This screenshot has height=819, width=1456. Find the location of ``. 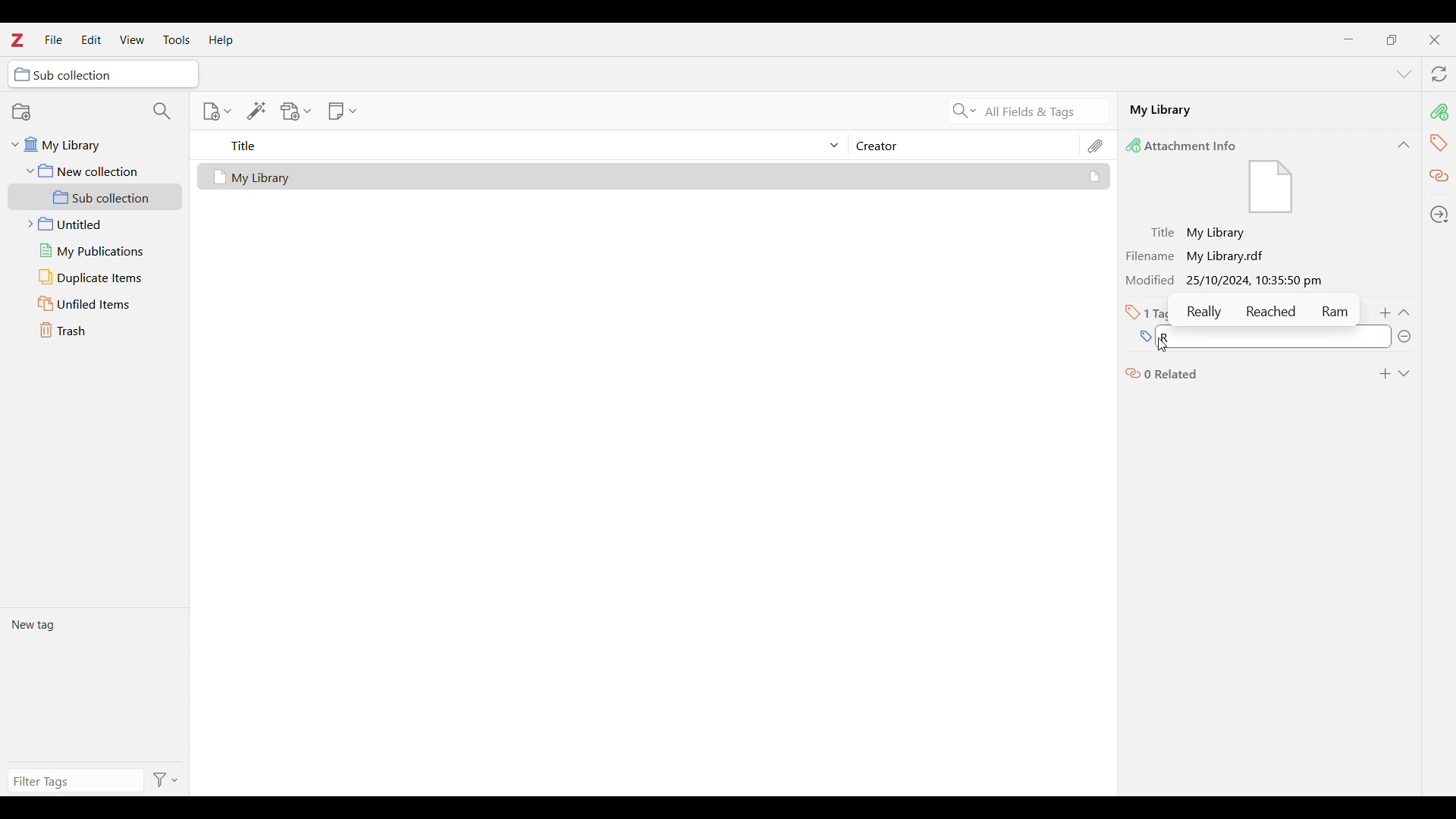

 is located at coordinates (1271, 188).